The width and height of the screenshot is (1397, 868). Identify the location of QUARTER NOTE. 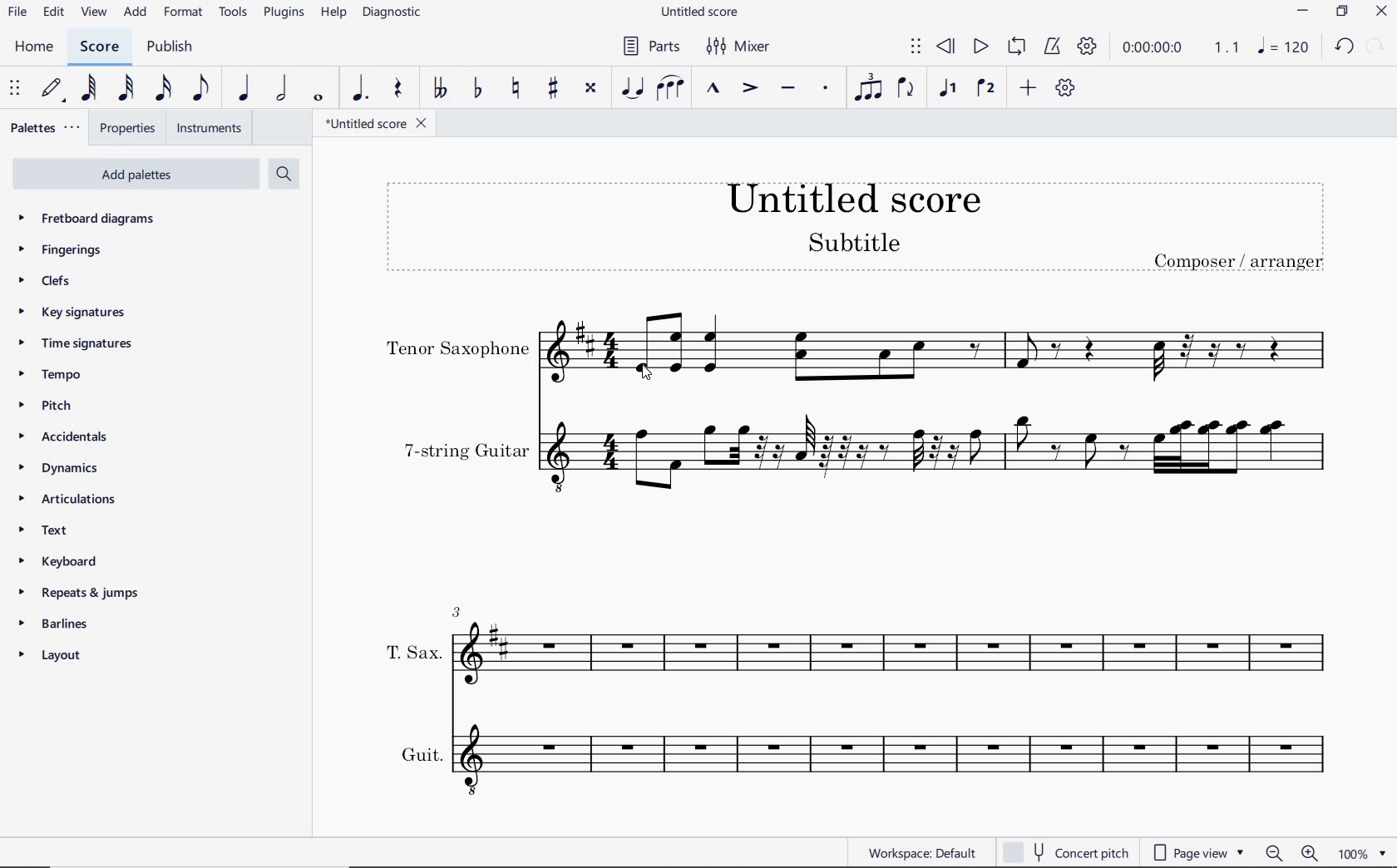
(244, 88).